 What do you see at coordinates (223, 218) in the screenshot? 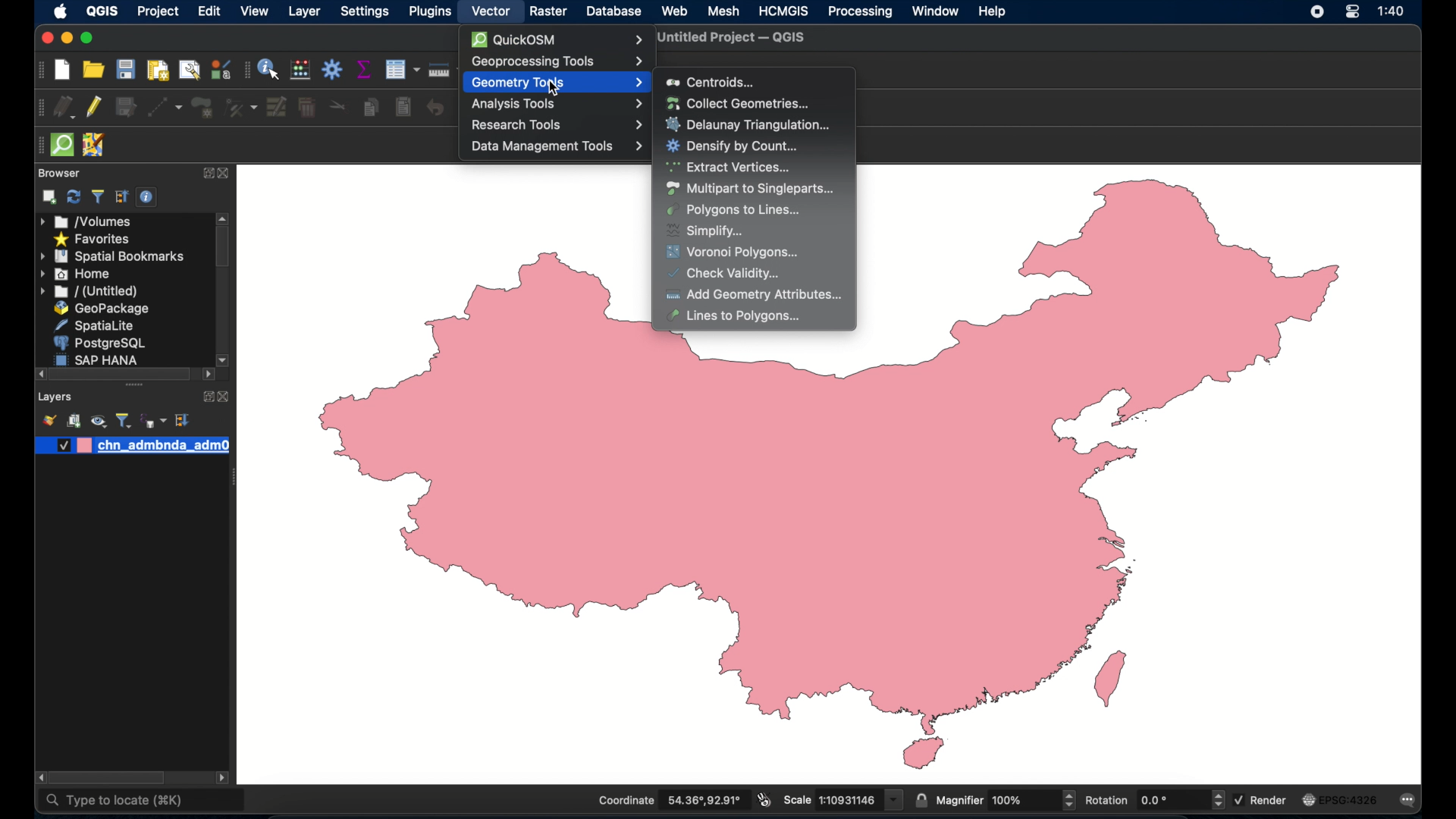
I see `scroll up arrow` at bounding box center [223, 218].